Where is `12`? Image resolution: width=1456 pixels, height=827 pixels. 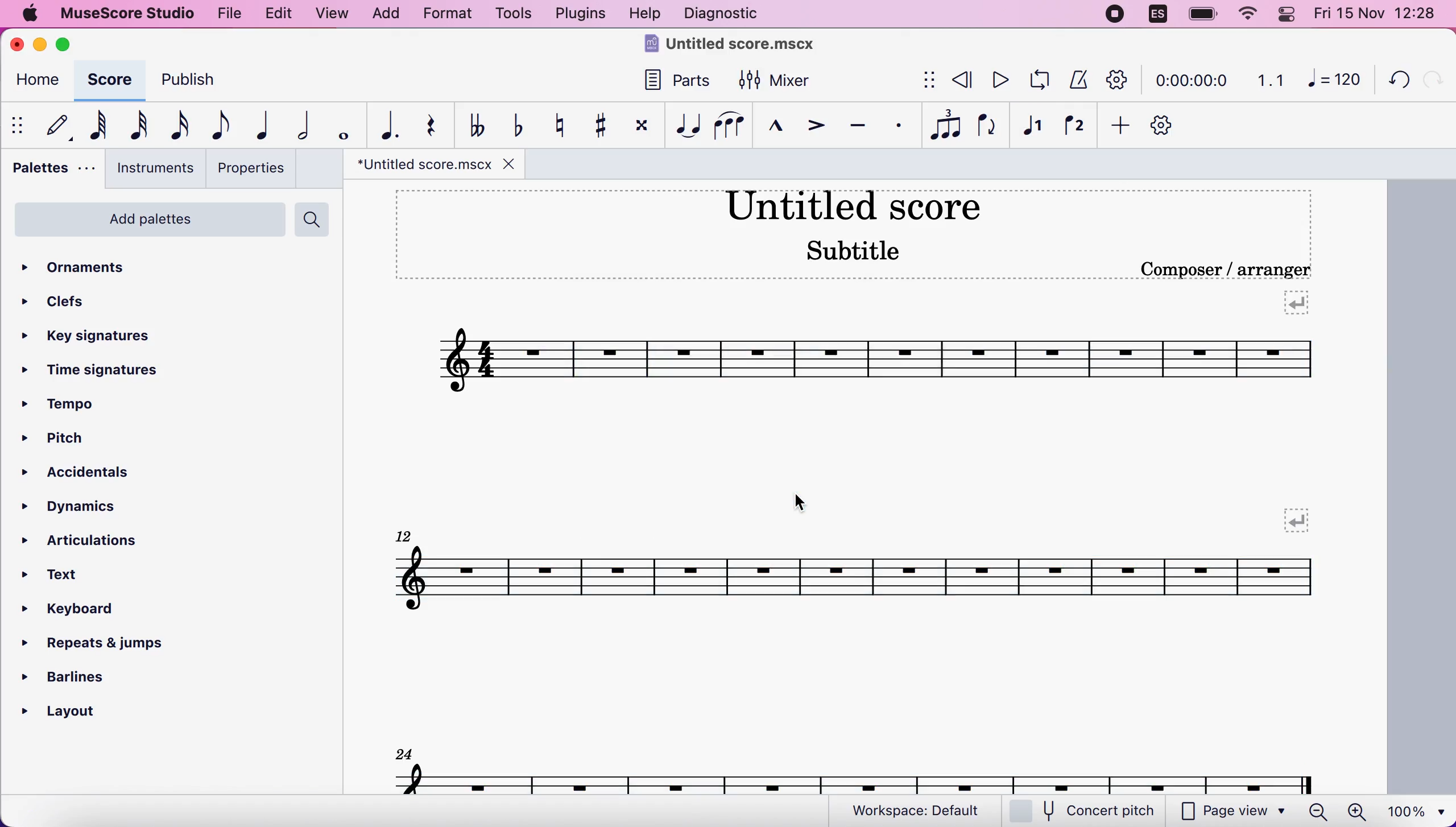 12 is located at coordinates (406, 534).